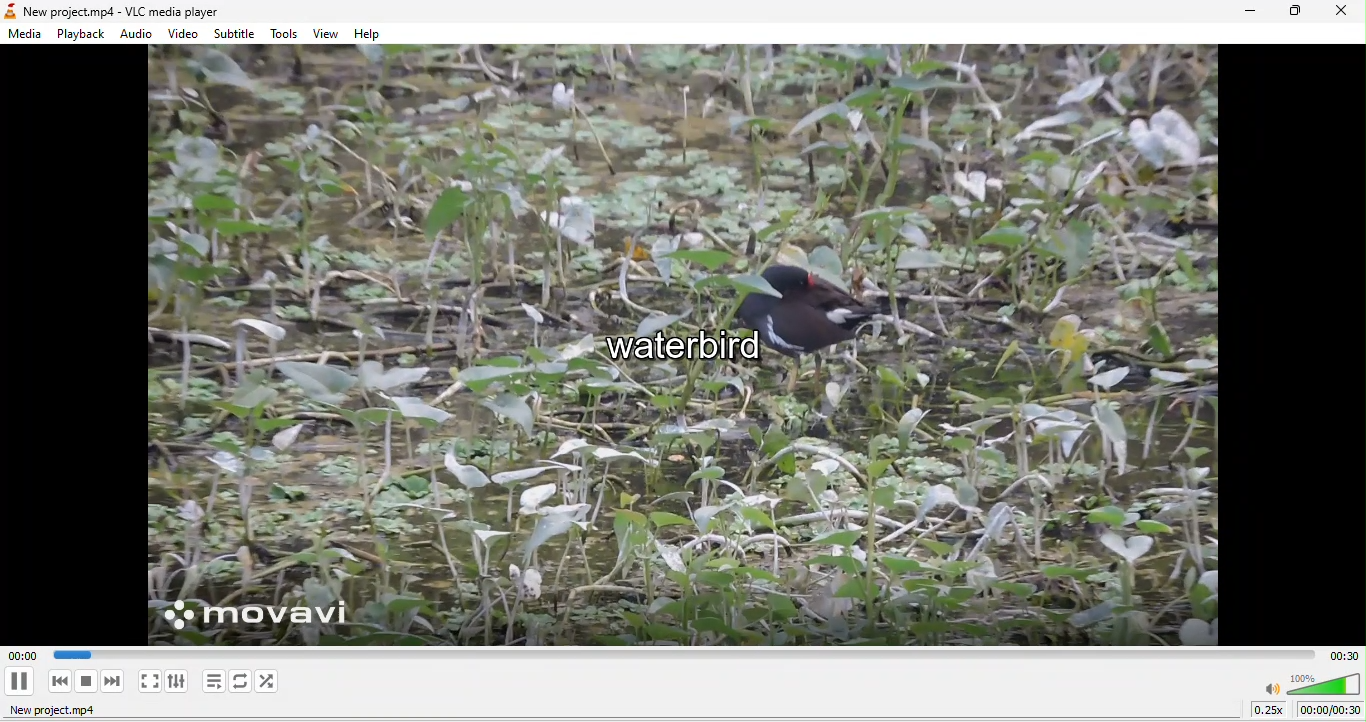  I want to click on tools, so click(287, 34).